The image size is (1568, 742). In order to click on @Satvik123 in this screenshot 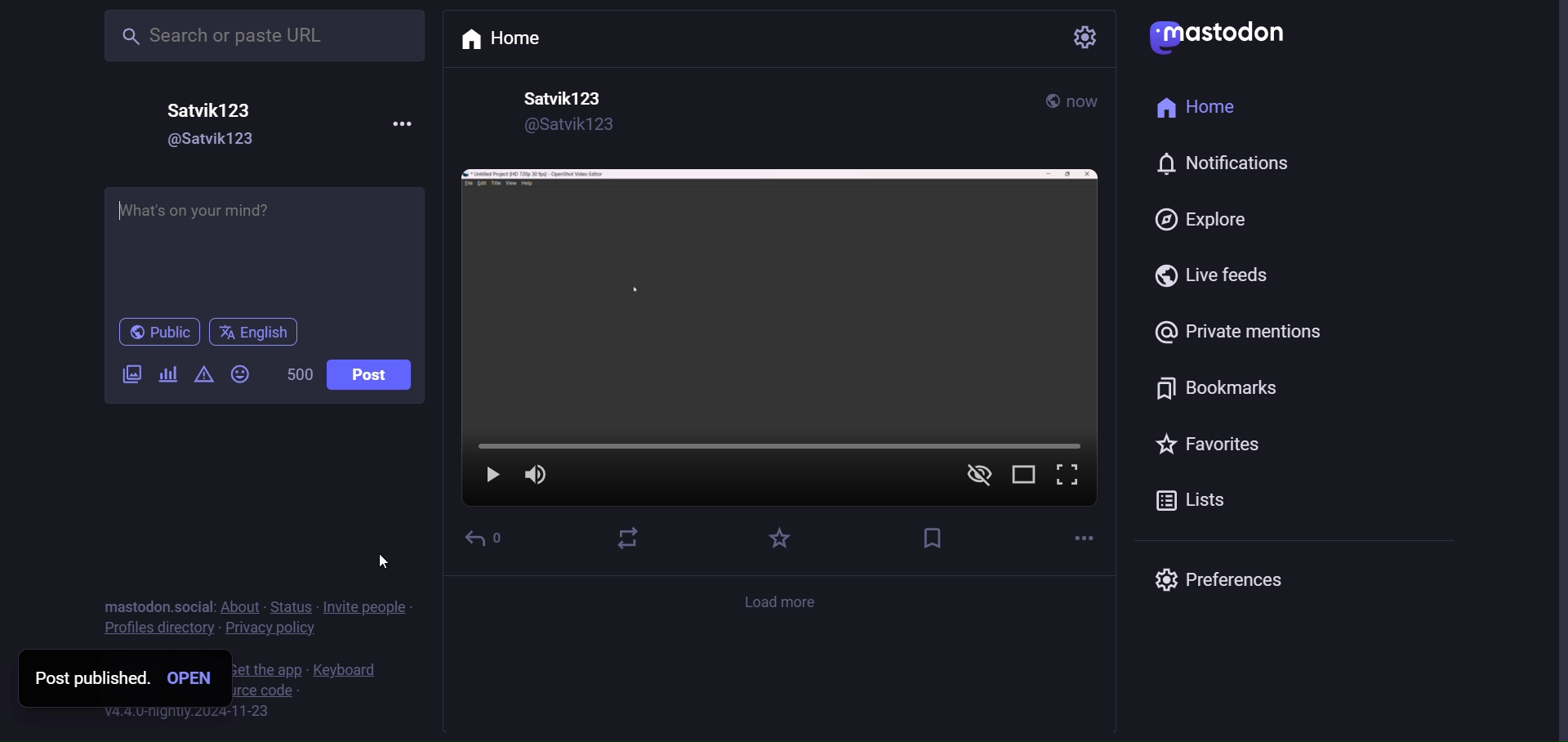, I will do `click(221, 140)`.